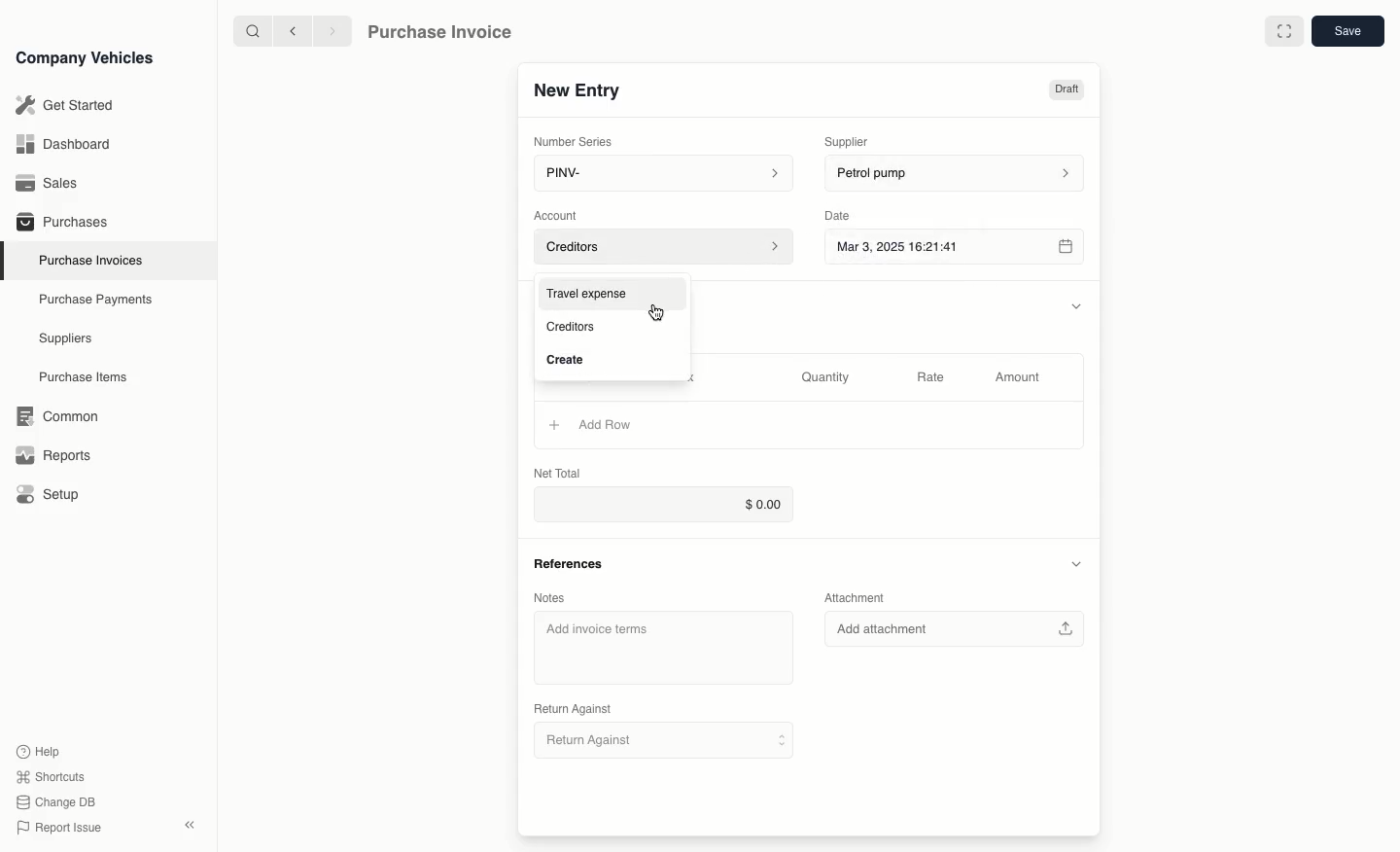  Describe the element at coordinates (87, 260) in the screenshot. I see `Purchase Invoices` at that location.